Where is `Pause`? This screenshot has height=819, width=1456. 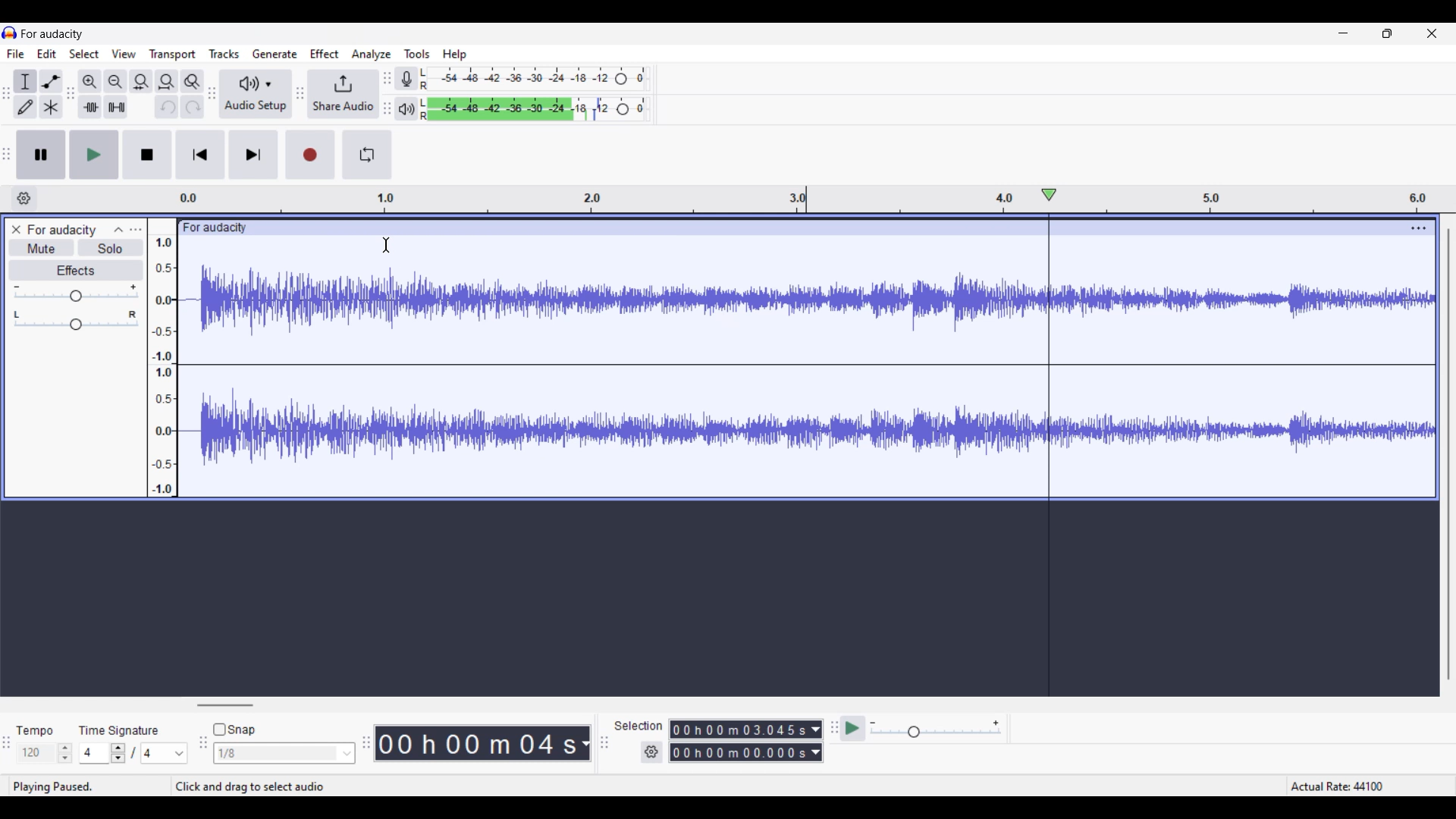 Pause is located at coordinates (41, 155).